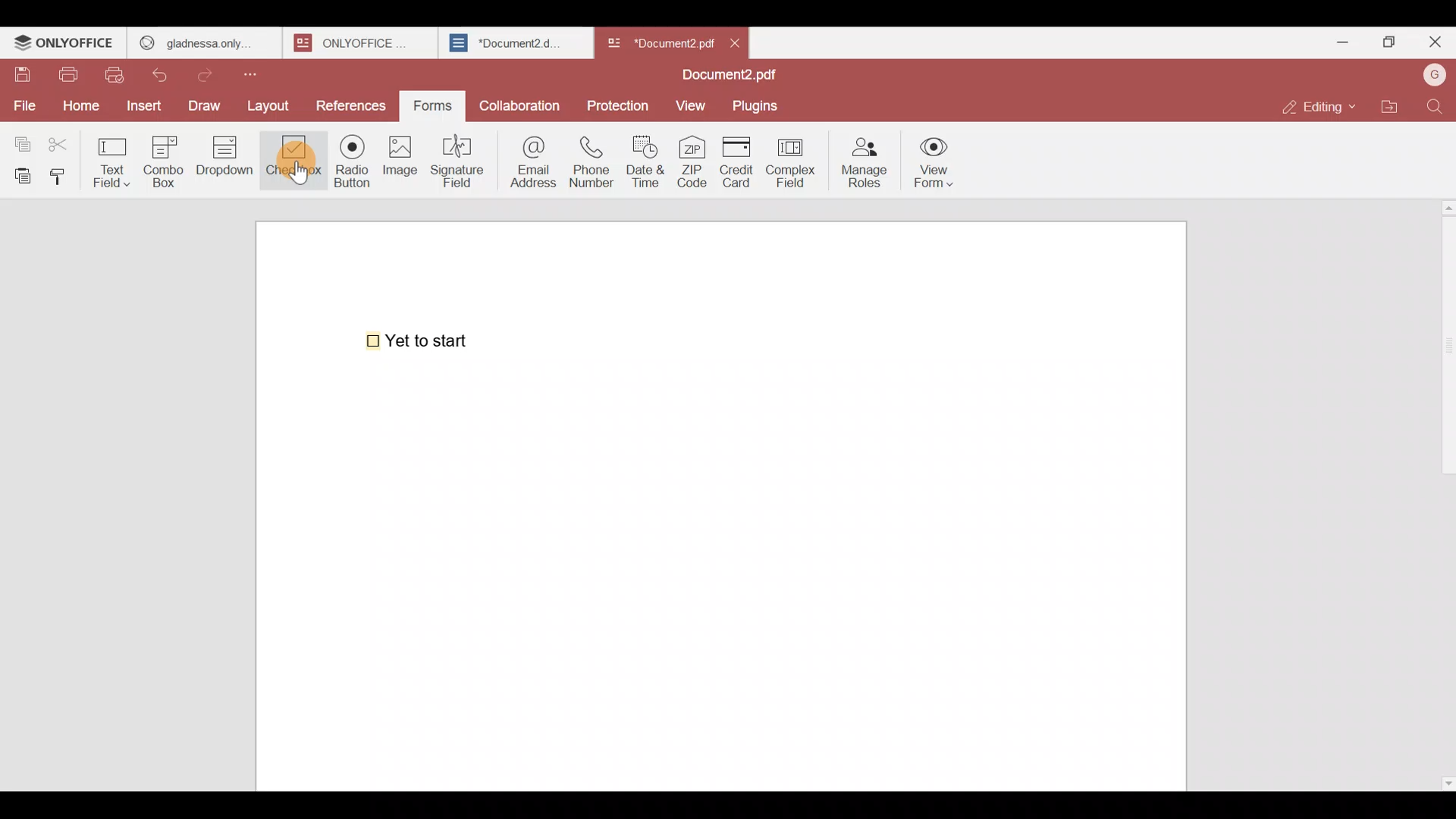  Describe the element at coordinates (292, 163) in the screenshot. I see `Checkbox` at that location.